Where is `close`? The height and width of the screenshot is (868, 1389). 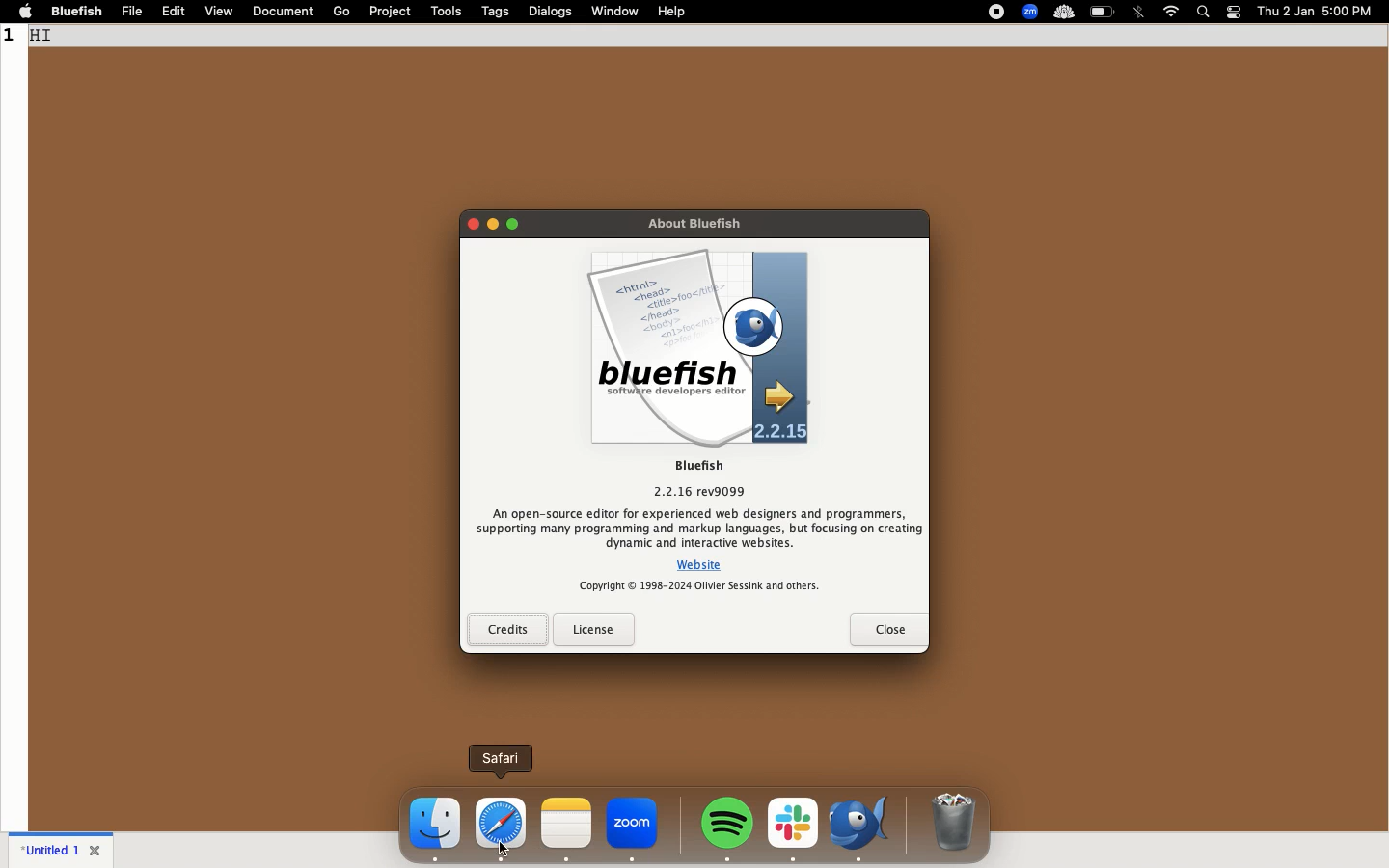
close is located at coordinates (471, 226).